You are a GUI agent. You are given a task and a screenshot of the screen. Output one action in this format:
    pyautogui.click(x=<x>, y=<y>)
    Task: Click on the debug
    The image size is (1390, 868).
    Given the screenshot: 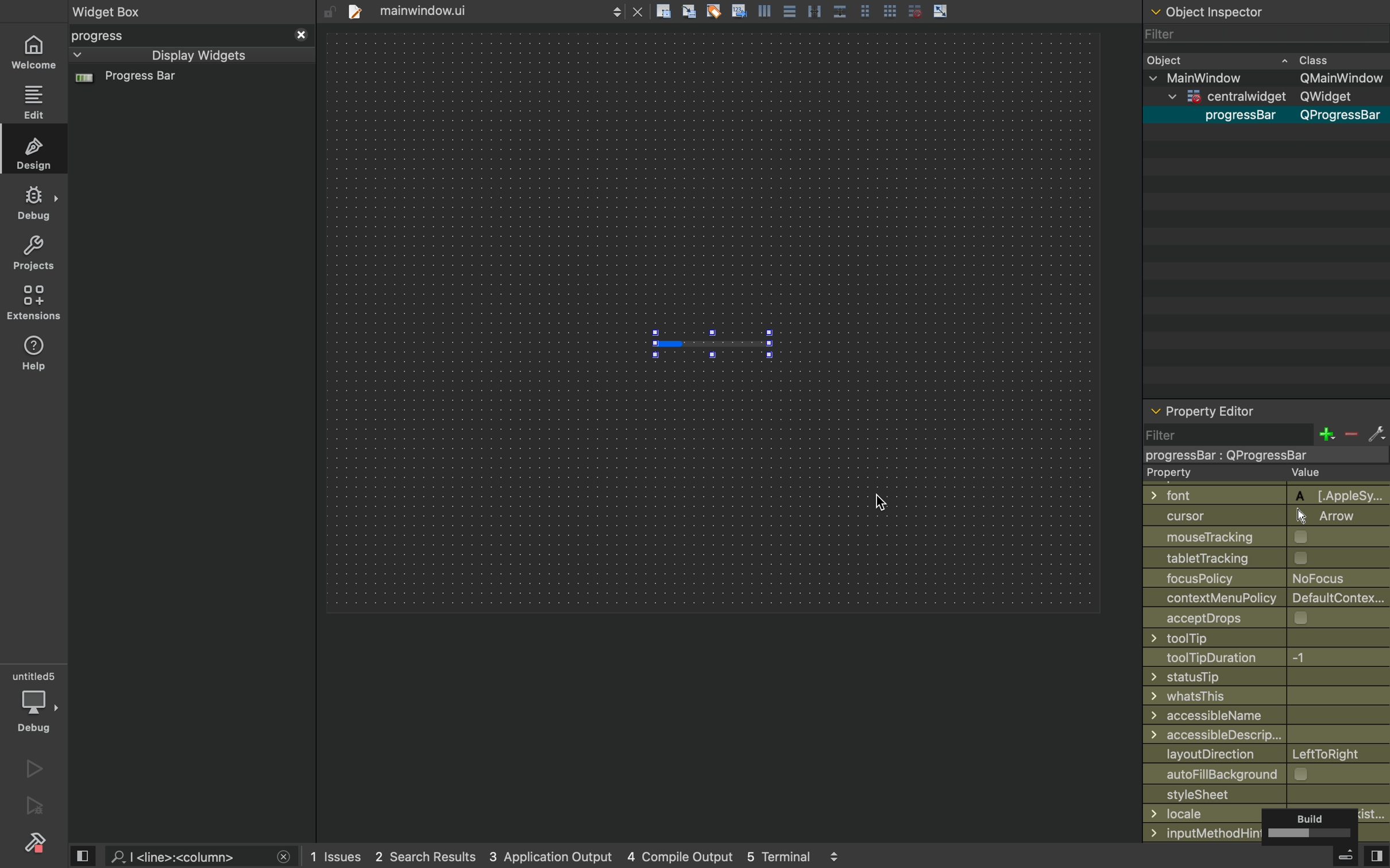 What is the action you would take?
    pyautogui.click(x=35, y=202)
    